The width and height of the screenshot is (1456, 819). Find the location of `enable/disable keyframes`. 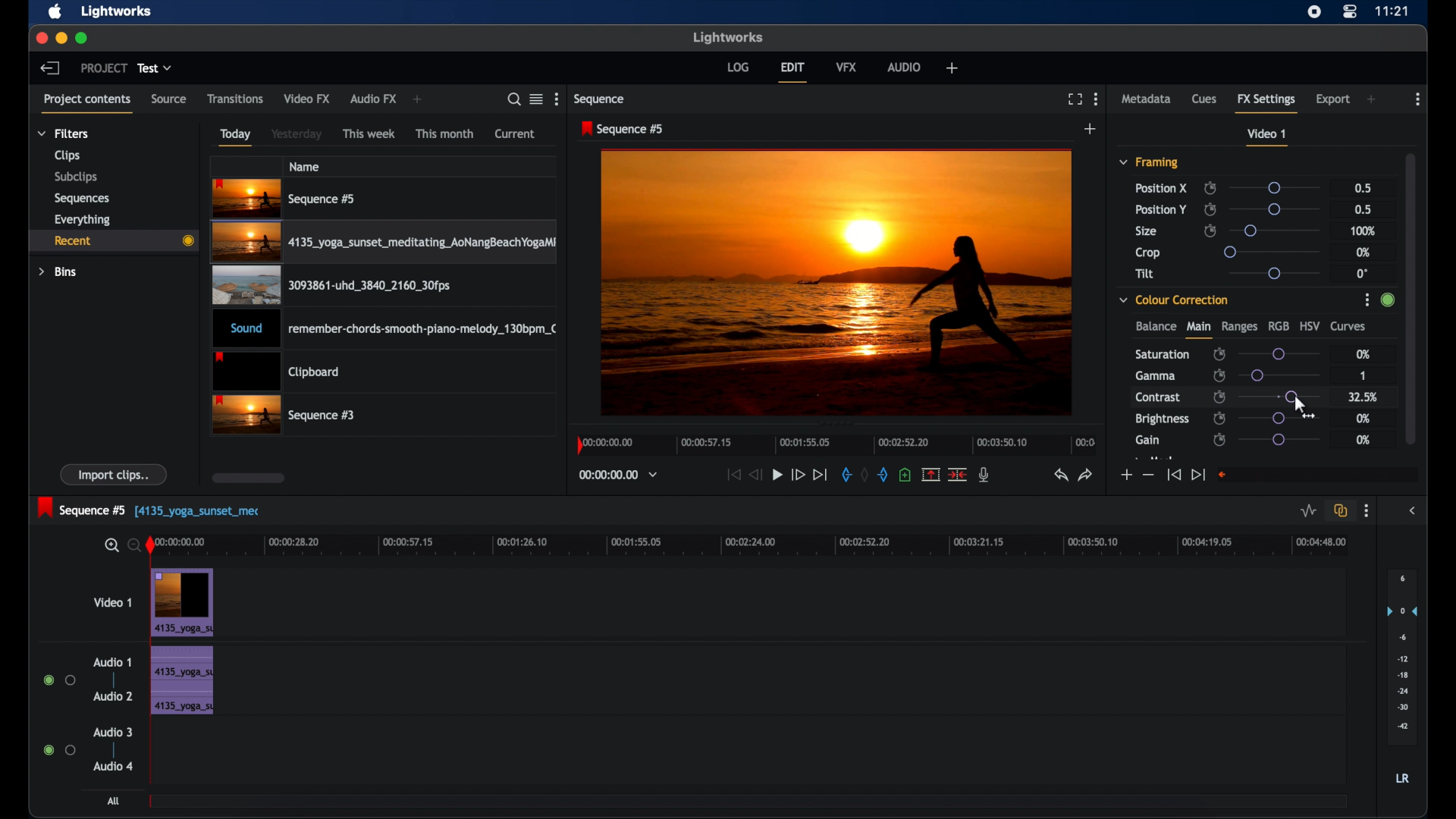

enable/disable keyframes is located at coordinates (1210, 230).